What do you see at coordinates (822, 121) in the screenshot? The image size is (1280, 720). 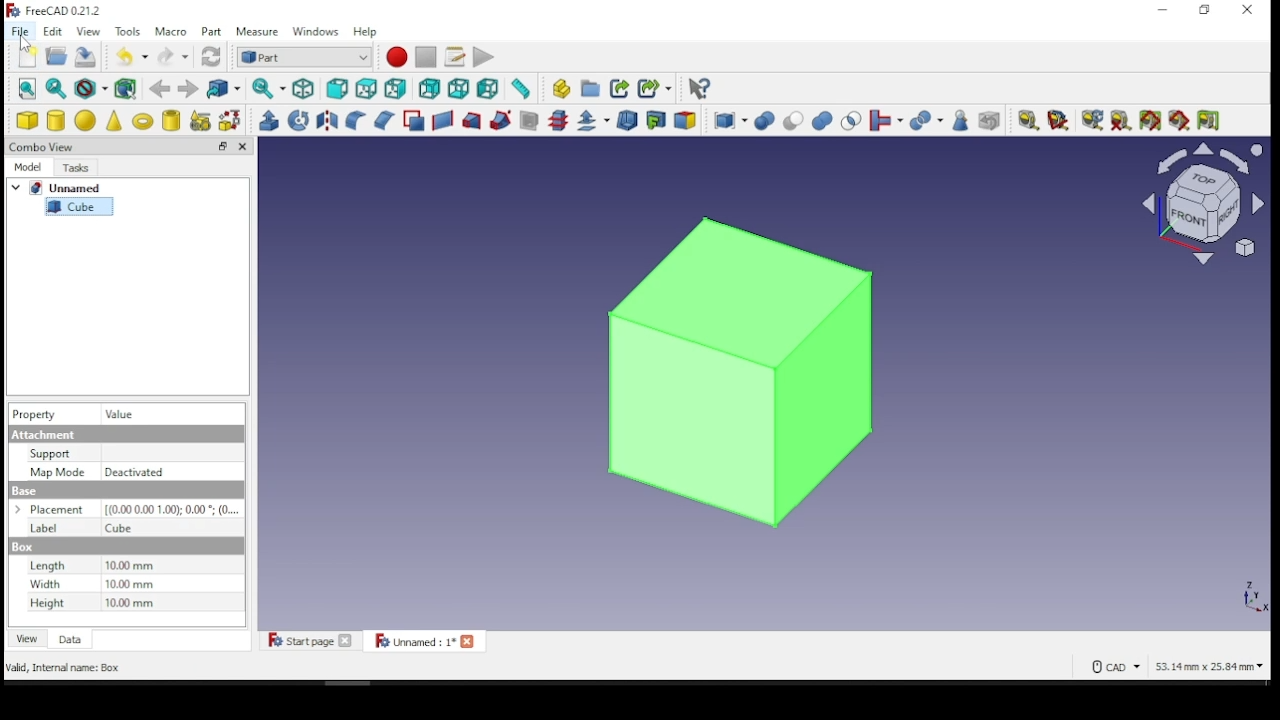 I see `union` at bounding box center [822, 121].